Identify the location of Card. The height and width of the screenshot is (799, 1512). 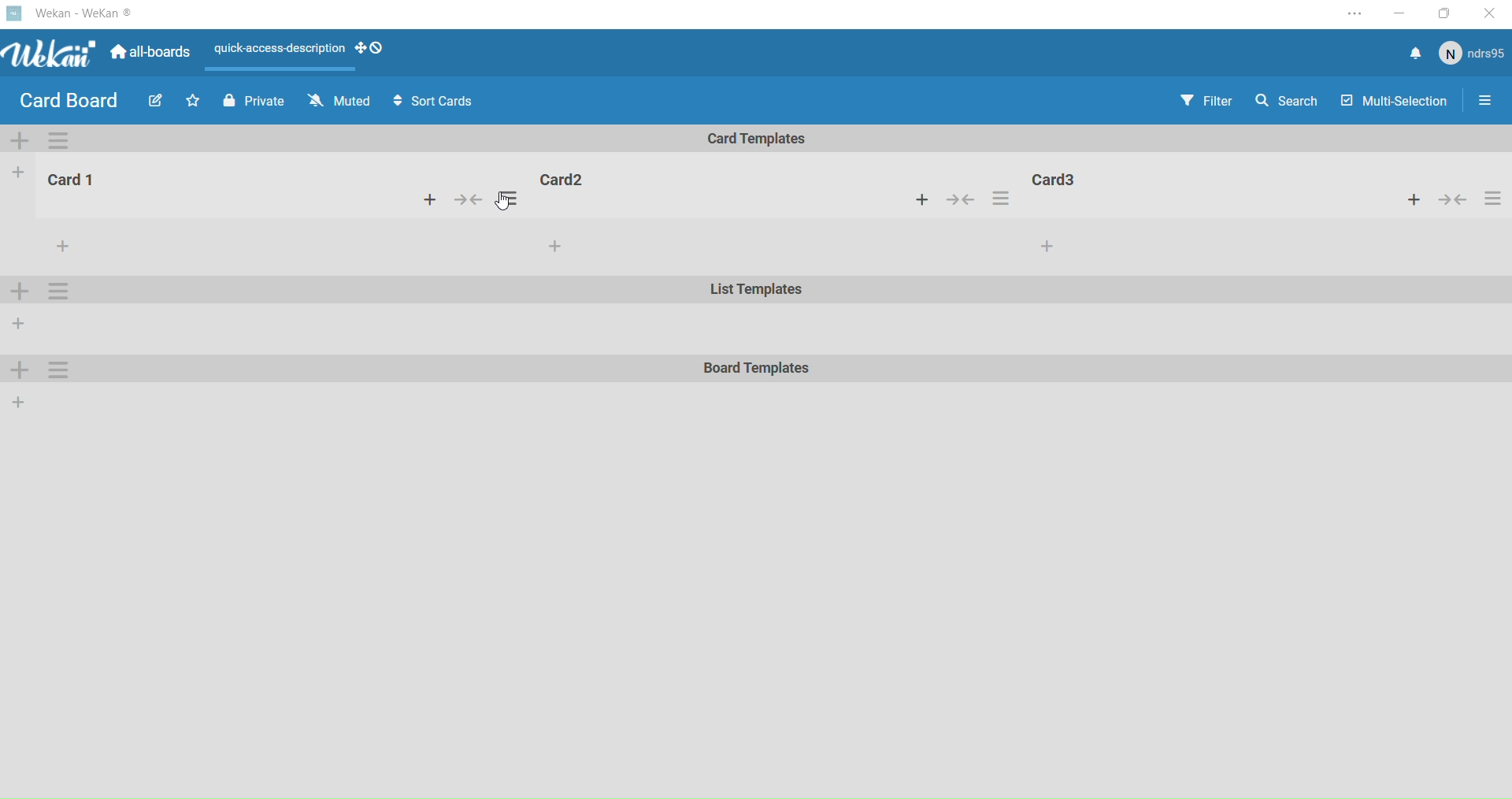
(1107, 181).